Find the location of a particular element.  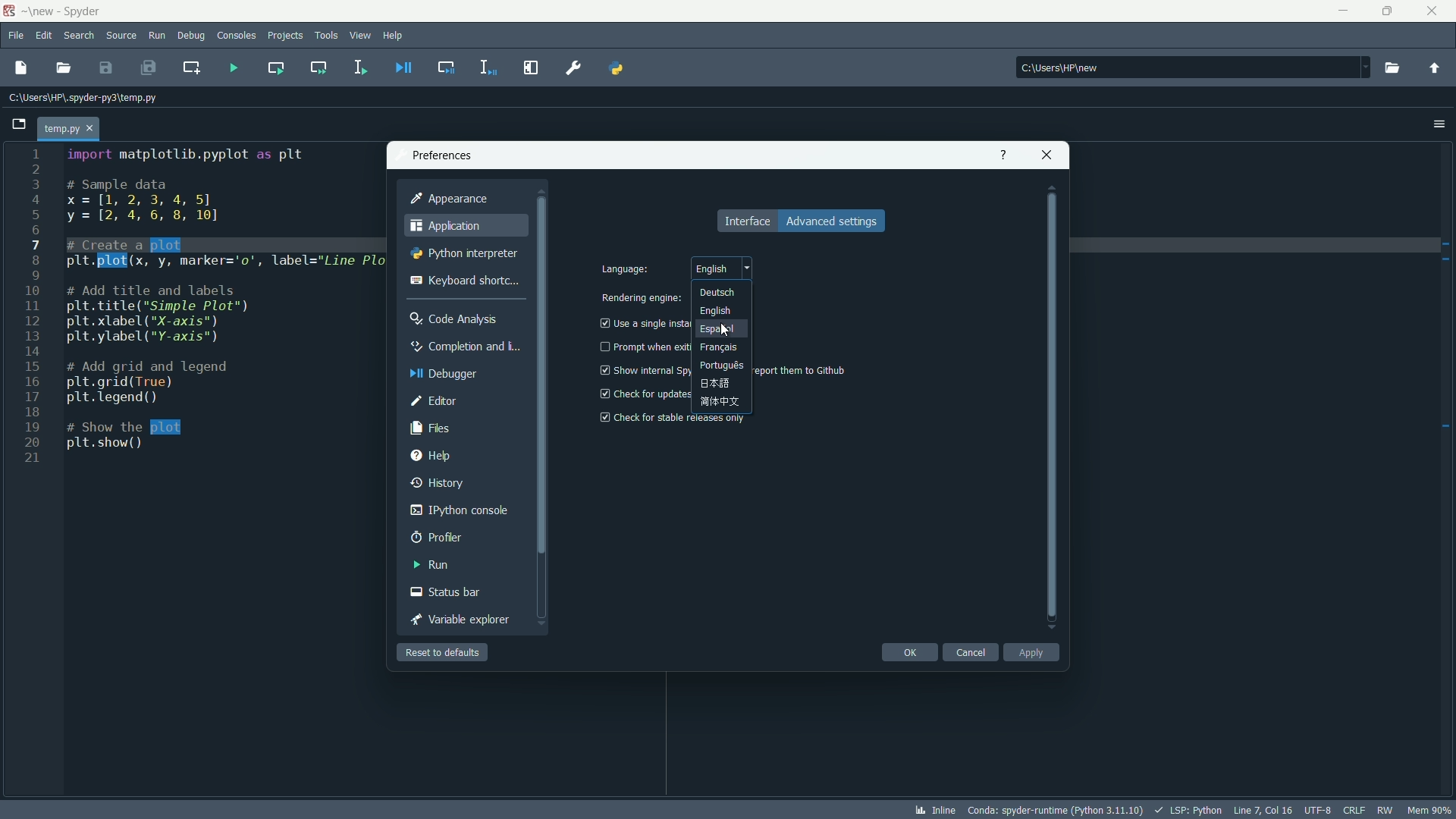

options is located at coordinates (1436, 124).